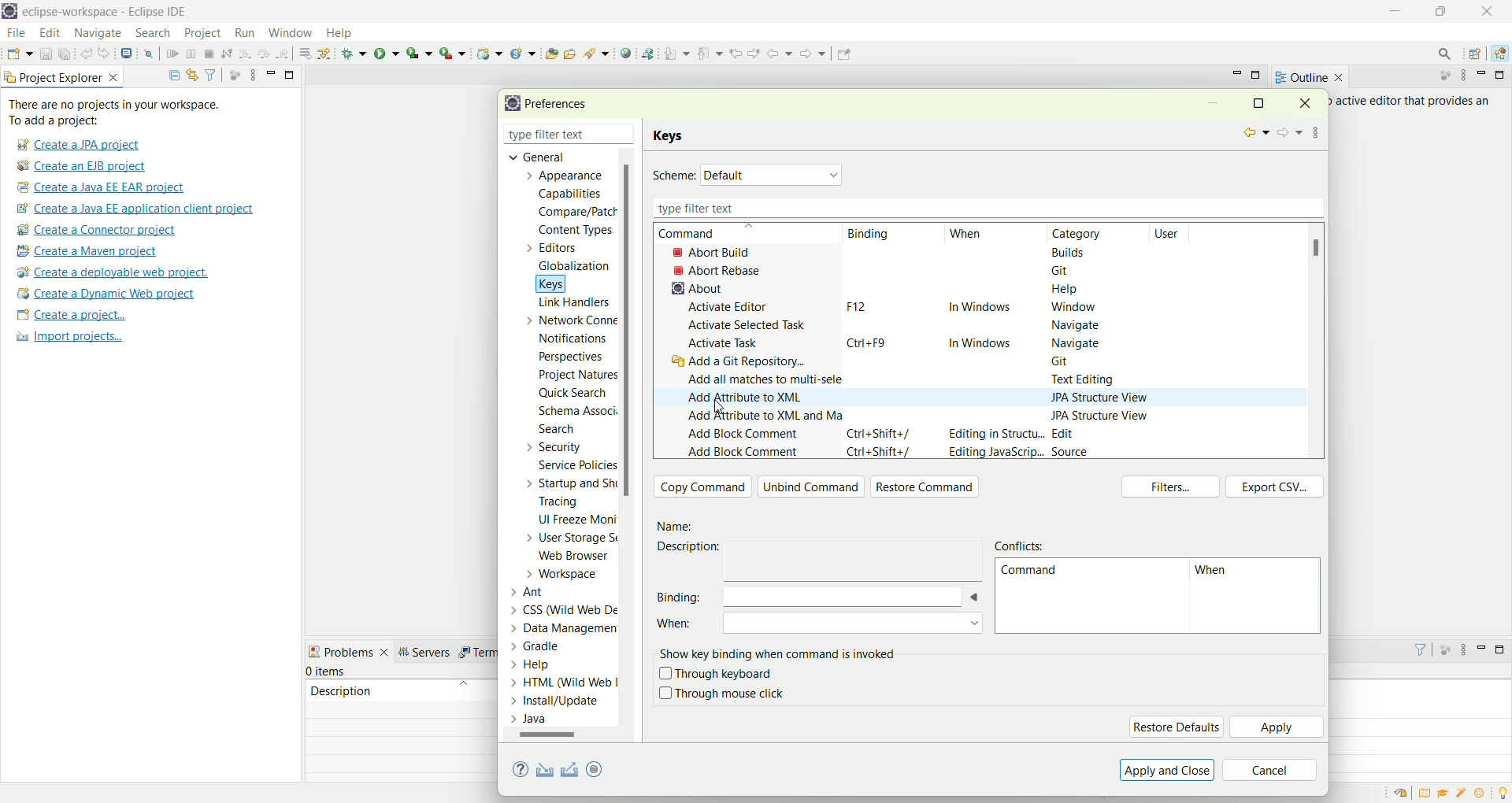 This screenshot has height=803, width=1512. What do you see at coordinates (743, 451) in the screenshot?
I see `add block comment` at bounding box center [743, 451].